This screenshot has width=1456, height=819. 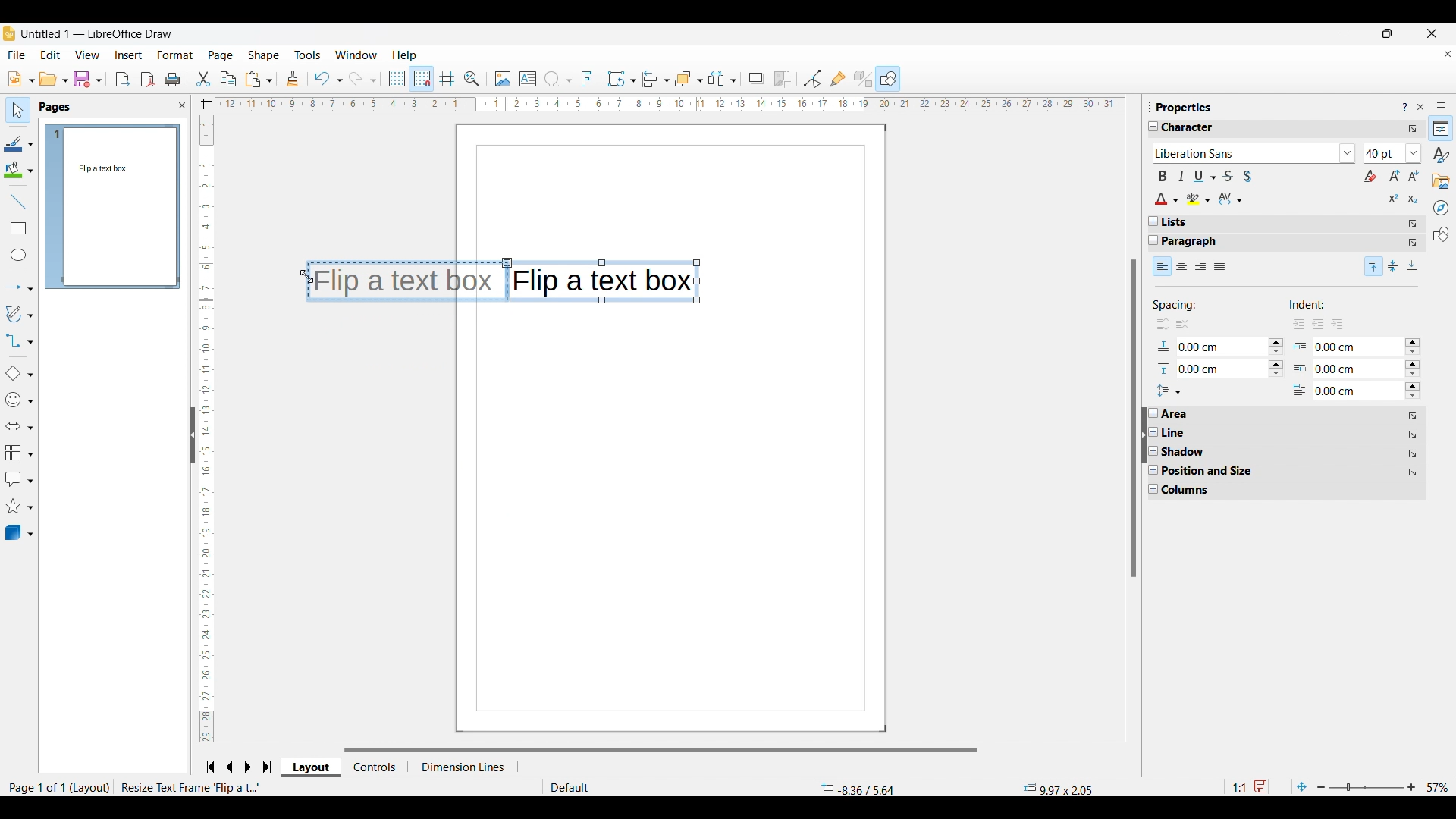 What do you see at coordinates (1374, 266) in the screenshot?
I see `Top alignment` at bounding box center [1374, 266].